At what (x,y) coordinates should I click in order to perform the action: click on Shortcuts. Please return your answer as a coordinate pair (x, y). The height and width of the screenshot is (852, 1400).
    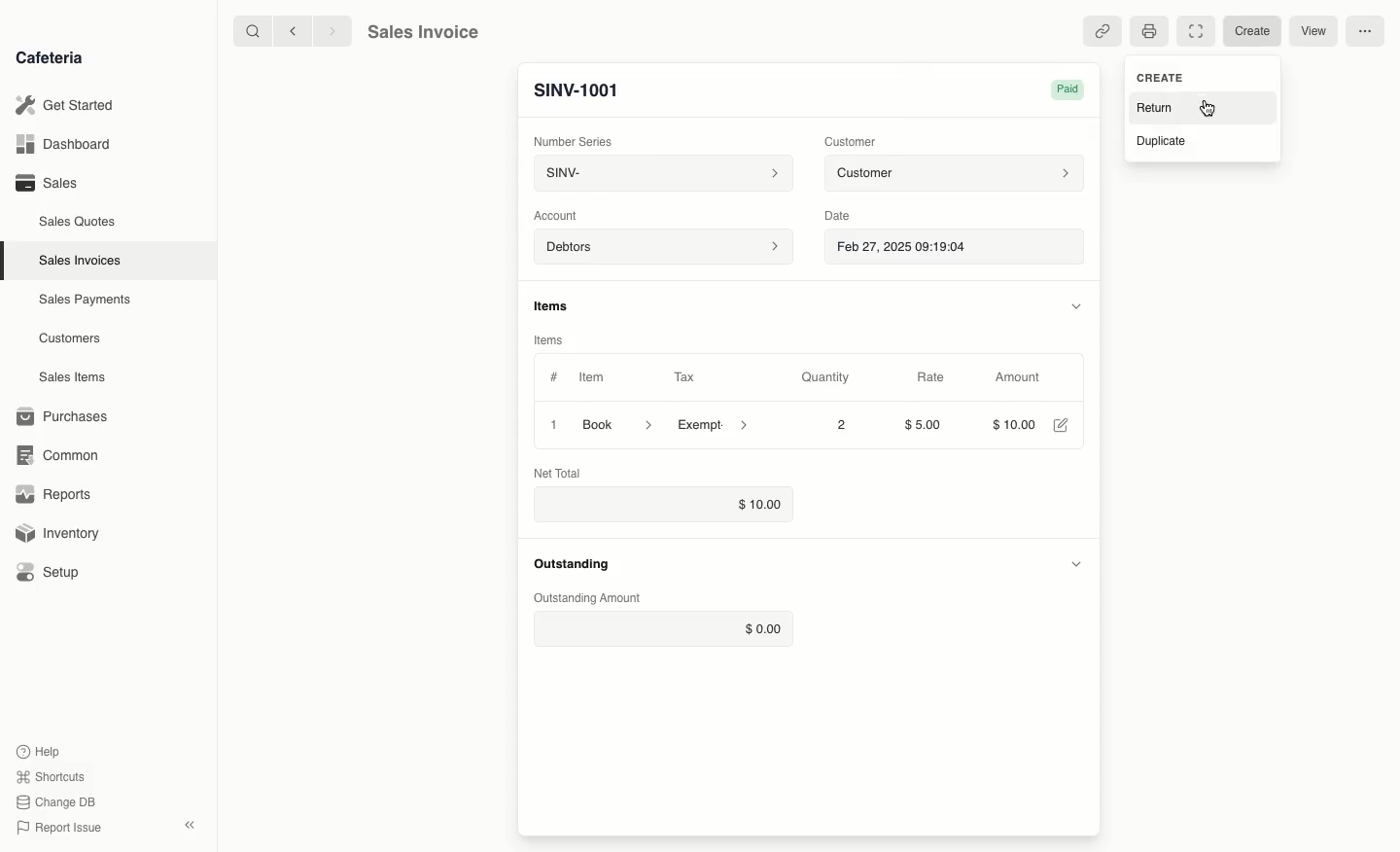
    Looking at the image, I should click on (52, 775).